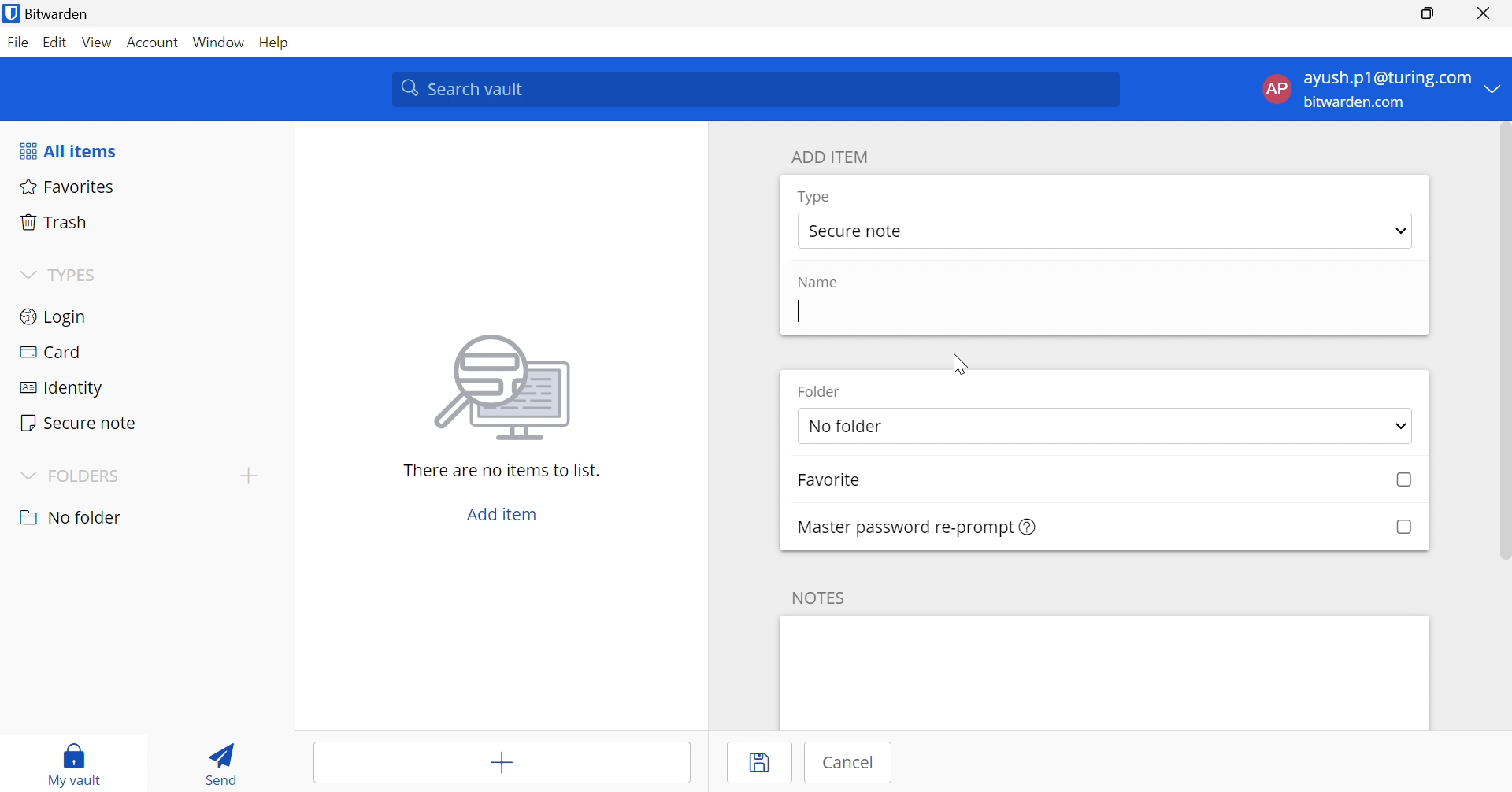 The image size is (1512, 792). What do you see at coordinates (1374, 12) in the screenshot?
I see `Minimize` at bounding box center [1374, 12].